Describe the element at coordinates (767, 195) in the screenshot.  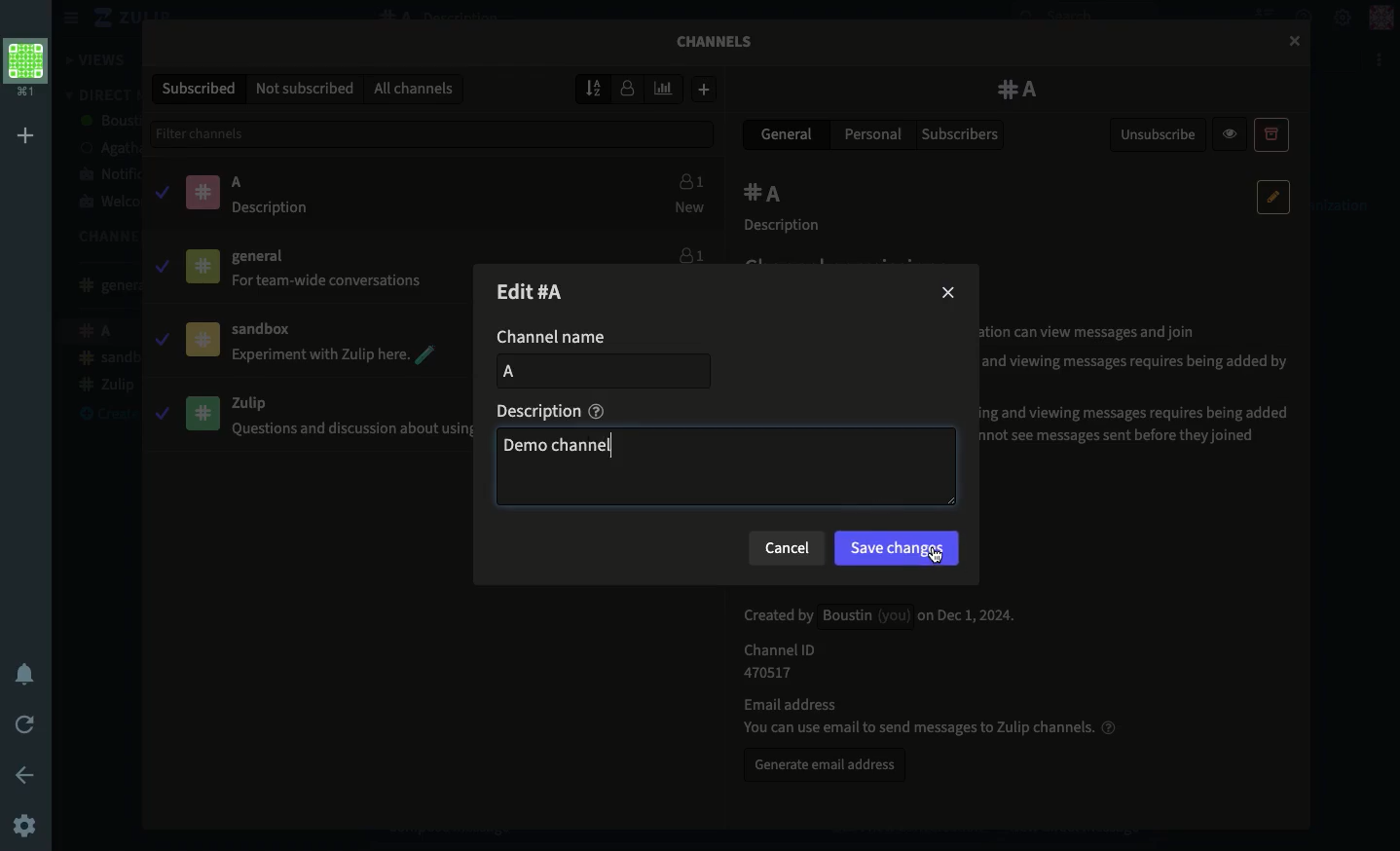
I see `A` at that location.